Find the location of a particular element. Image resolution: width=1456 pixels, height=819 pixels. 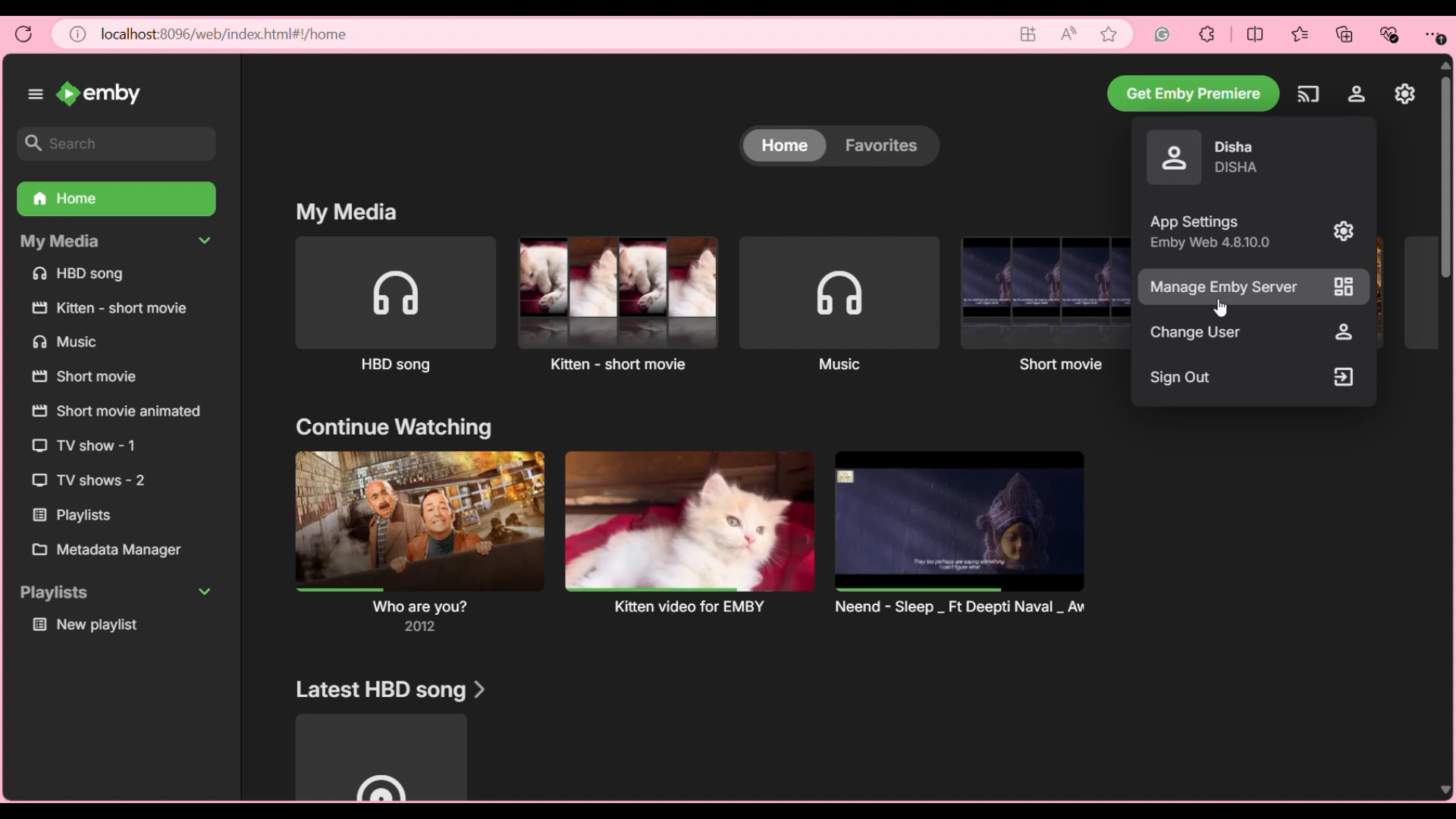

Browser essentials is located at coordinates (1389, 35).